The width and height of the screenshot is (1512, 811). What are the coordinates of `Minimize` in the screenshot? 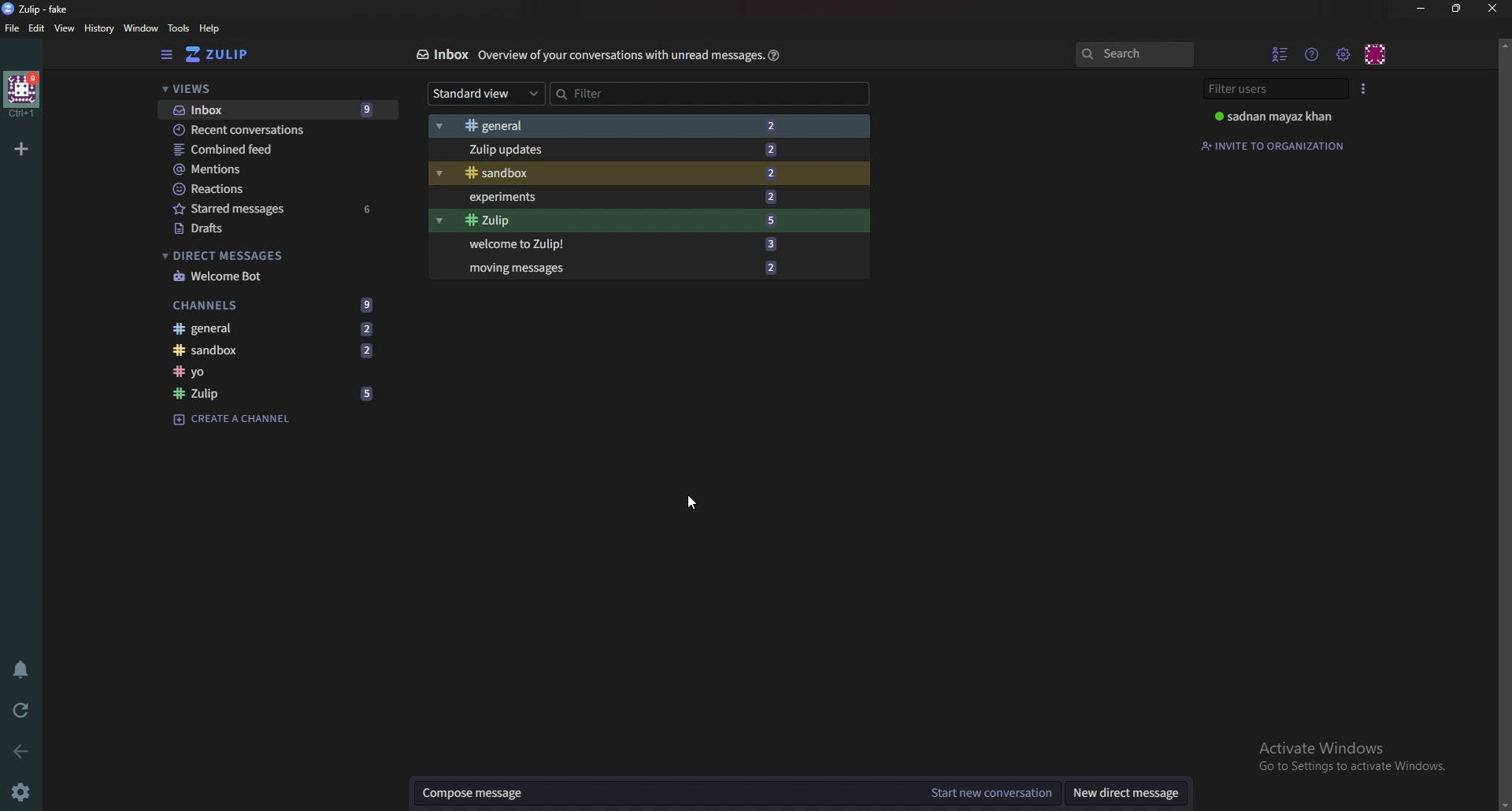 It's located at (1423, 9).